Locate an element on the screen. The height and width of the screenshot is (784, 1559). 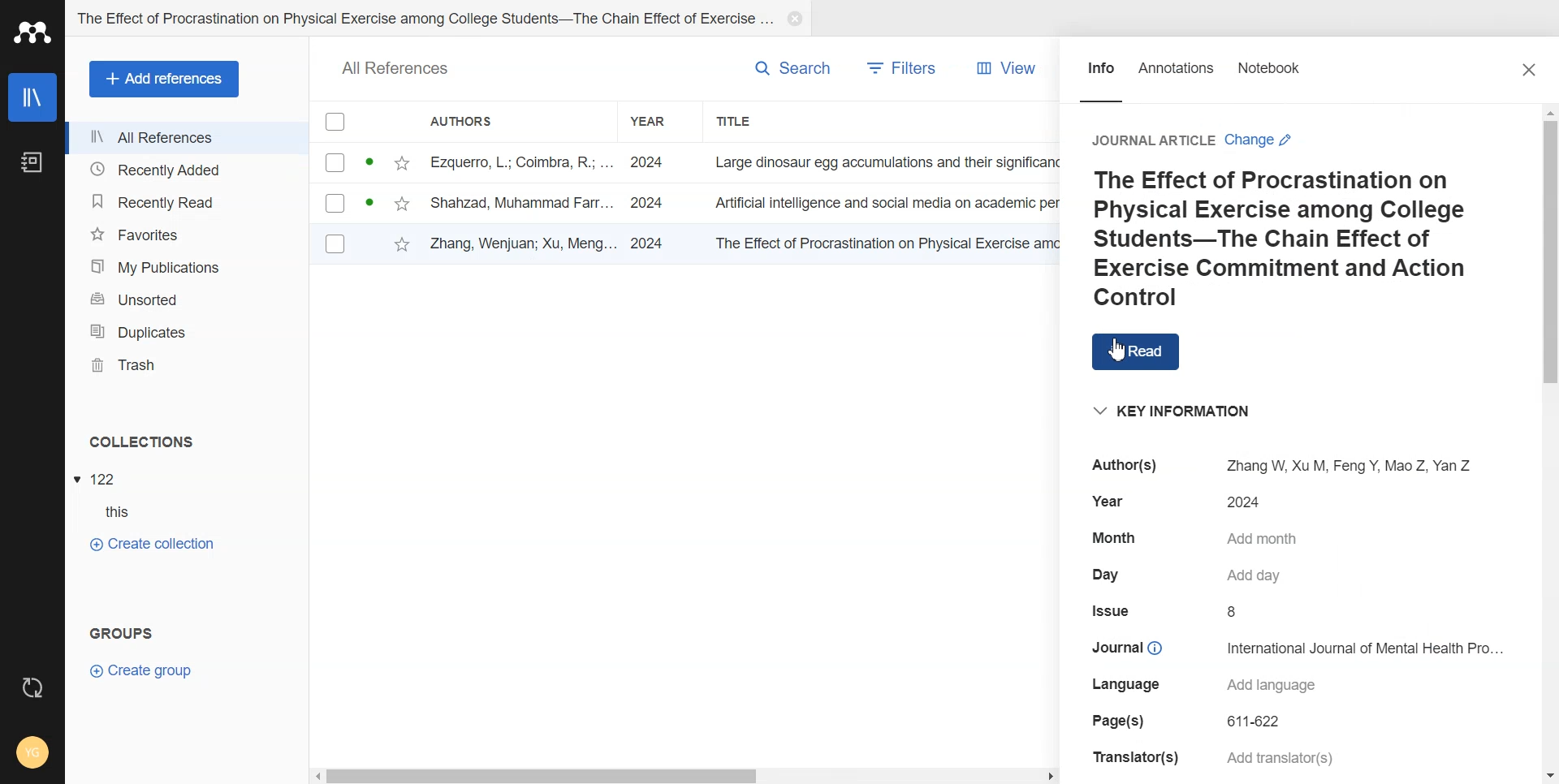
Favorite is located at coordinates (404, 161).